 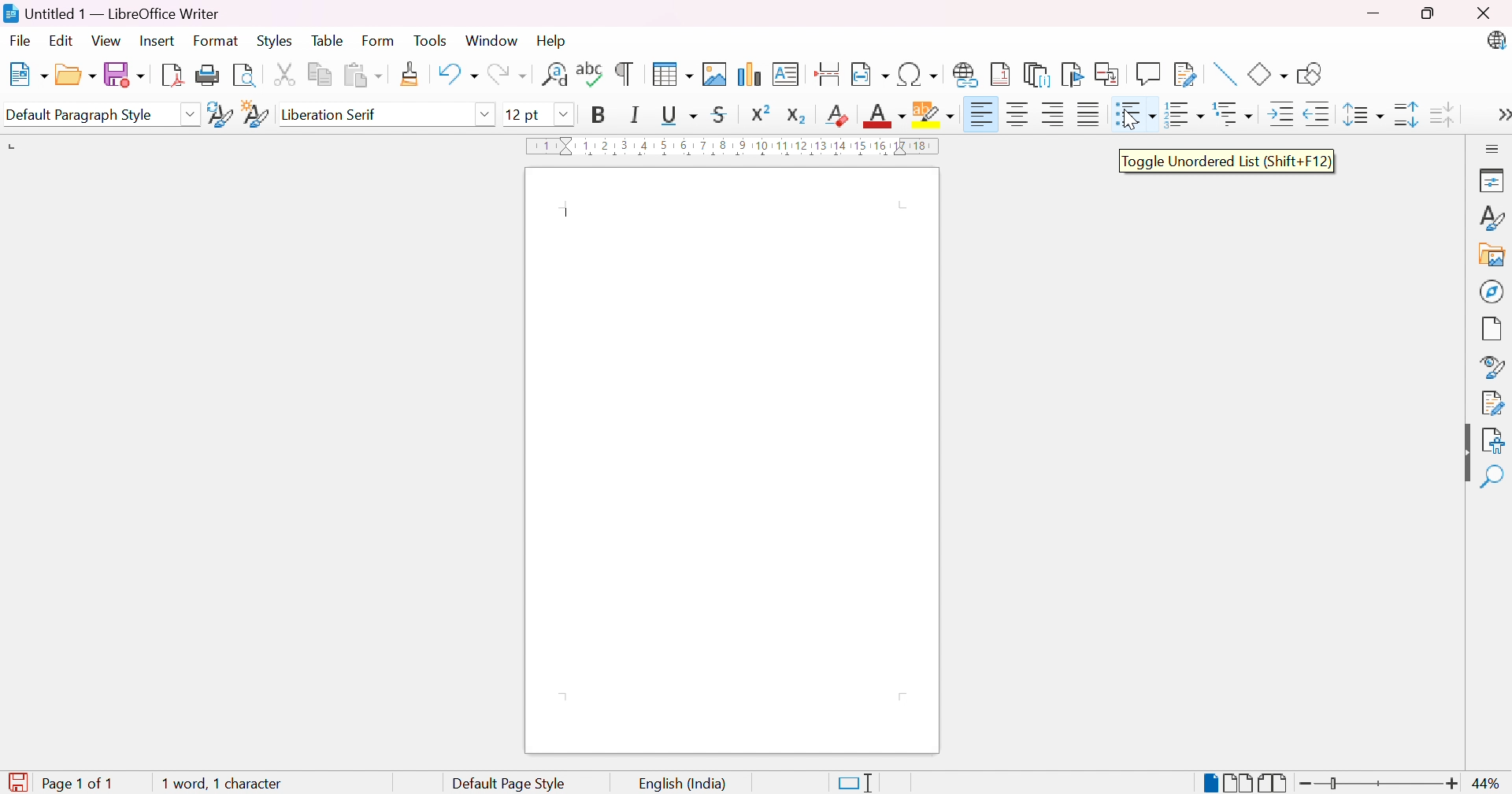 What do you see at coordinates (1494, 181) in the screenshot?
I see `Properties` at bounding box center [1494, 181].